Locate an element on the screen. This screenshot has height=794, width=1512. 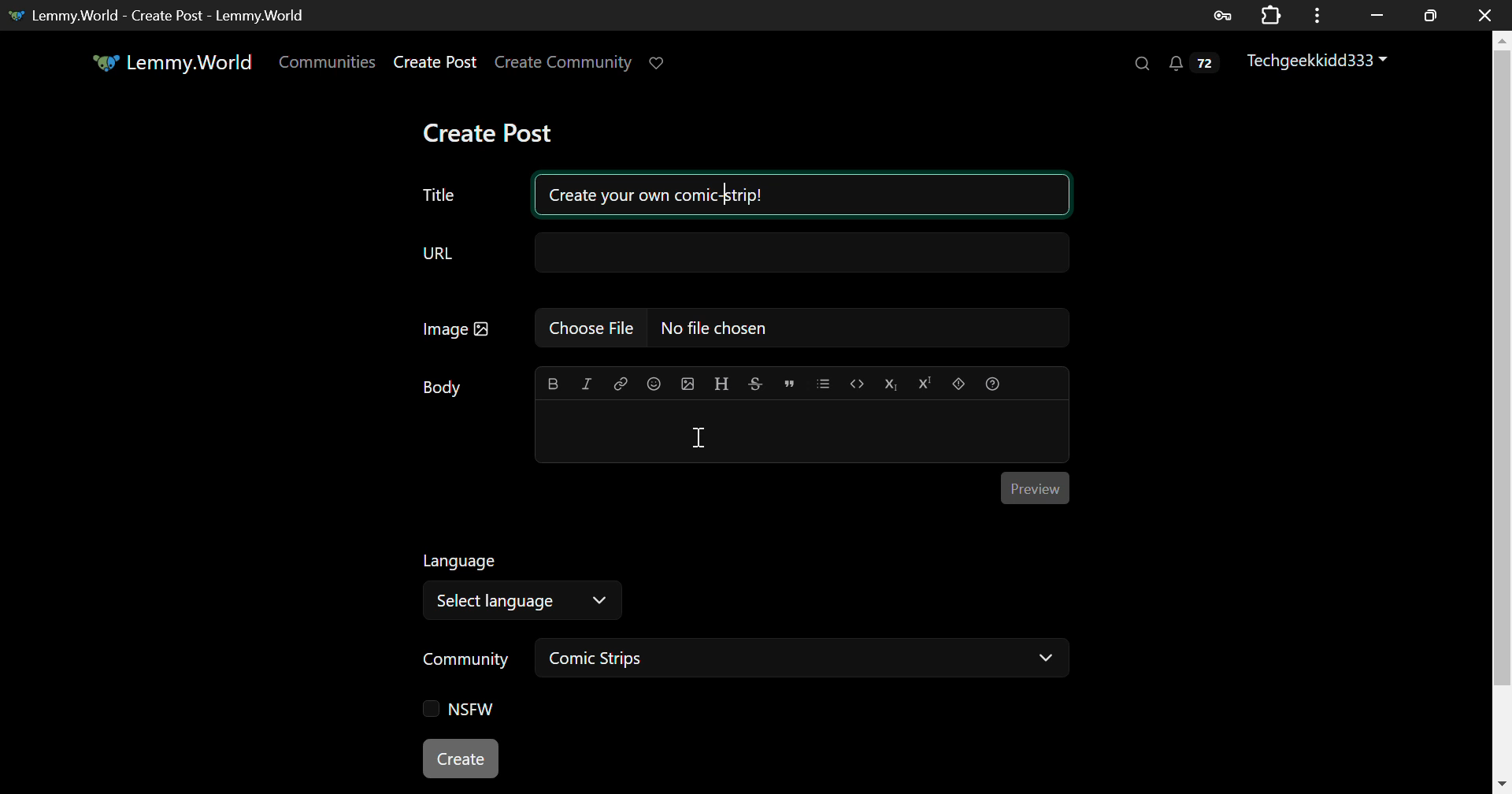
Subscript is located at coordinates (893, 384).